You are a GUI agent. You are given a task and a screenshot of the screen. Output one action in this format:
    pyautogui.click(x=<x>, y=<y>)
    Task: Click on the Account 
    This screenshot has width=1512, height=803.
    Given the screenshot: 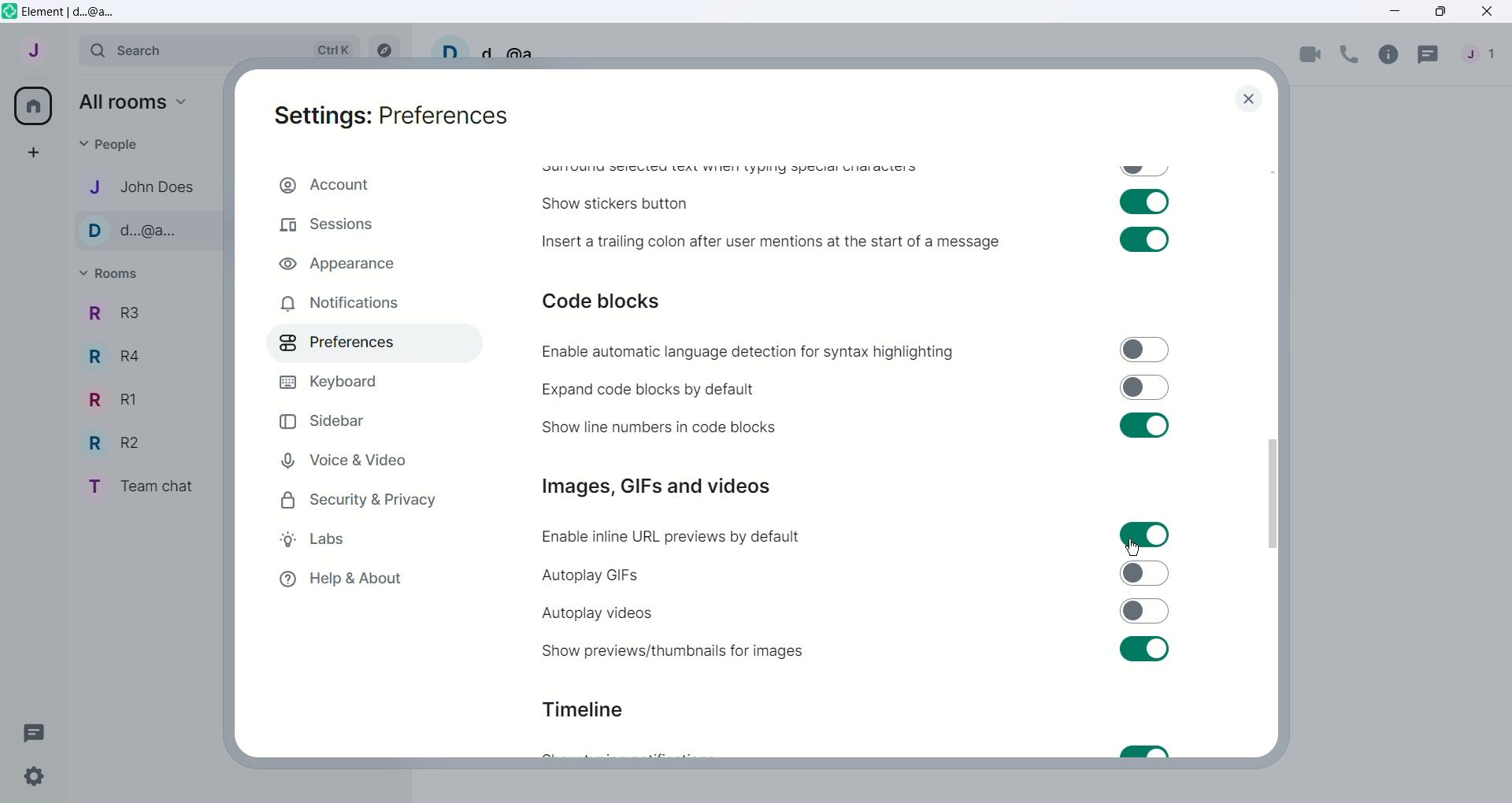 What is the action you would take?
    pyautogui.click(x=374, y=186)
    